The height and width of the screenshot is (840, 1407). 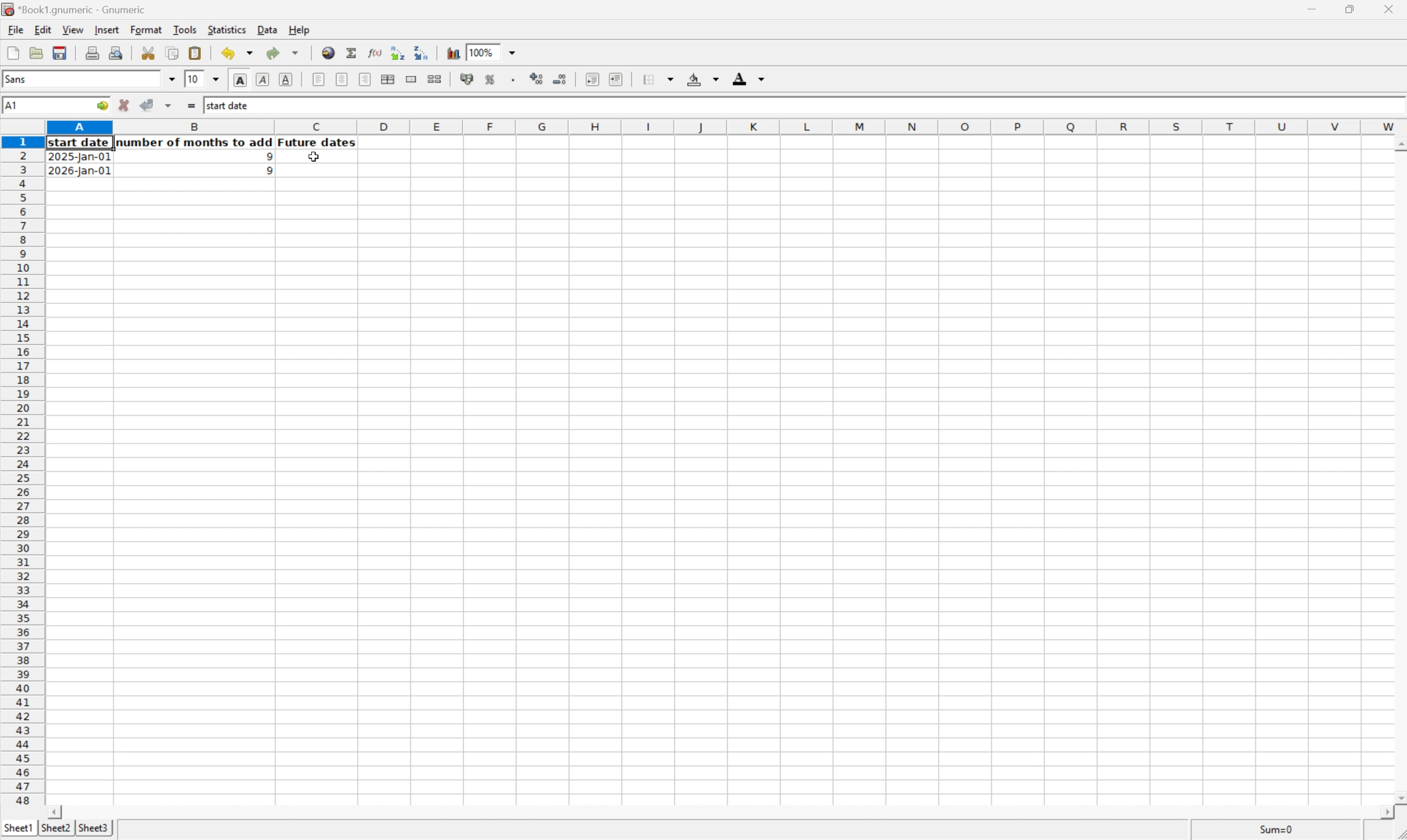 I want to click on Center Horizontally, so click(x=342, y=79).